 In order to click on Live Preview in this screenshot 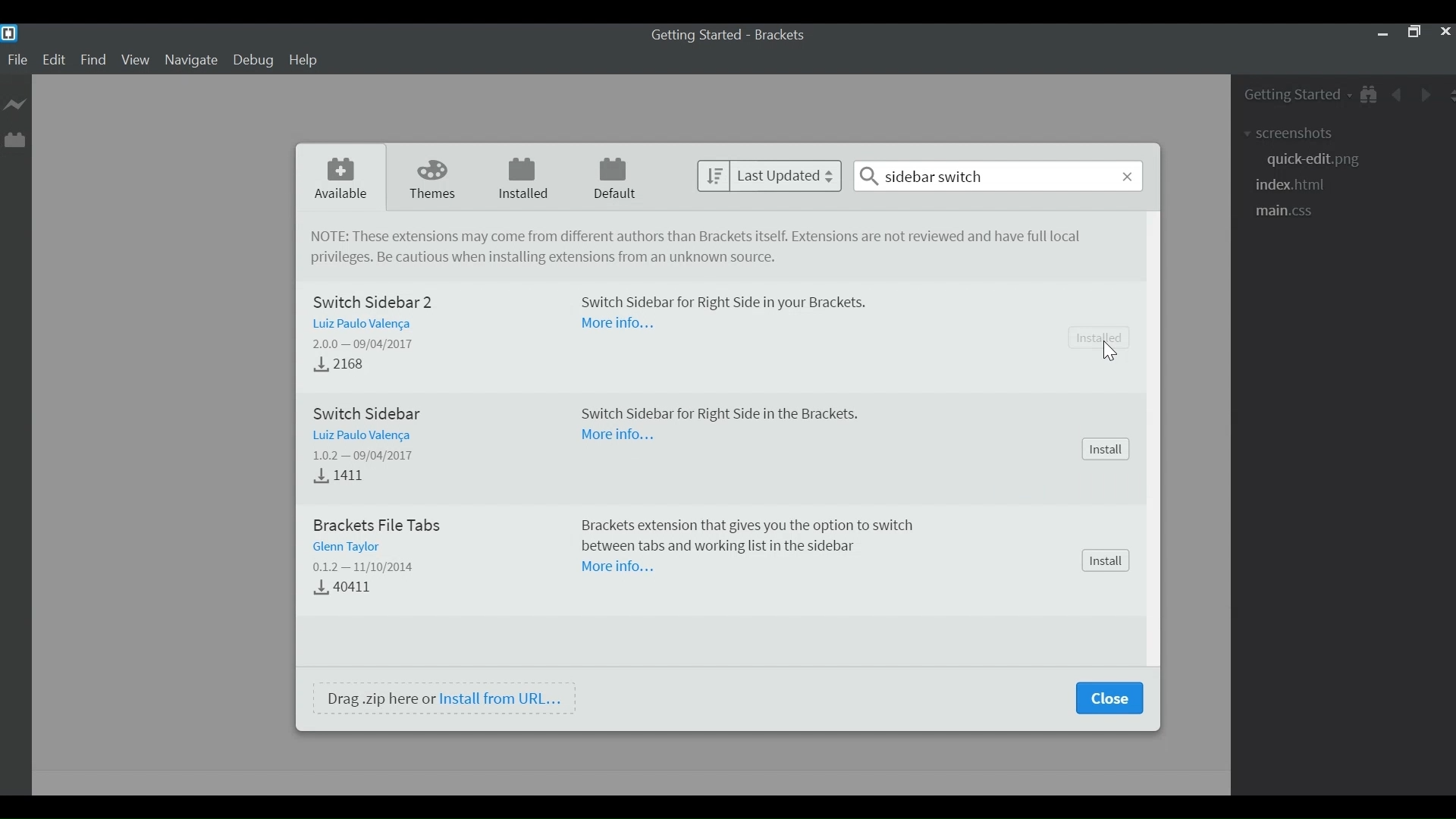, I will do `click(15, 104)`.